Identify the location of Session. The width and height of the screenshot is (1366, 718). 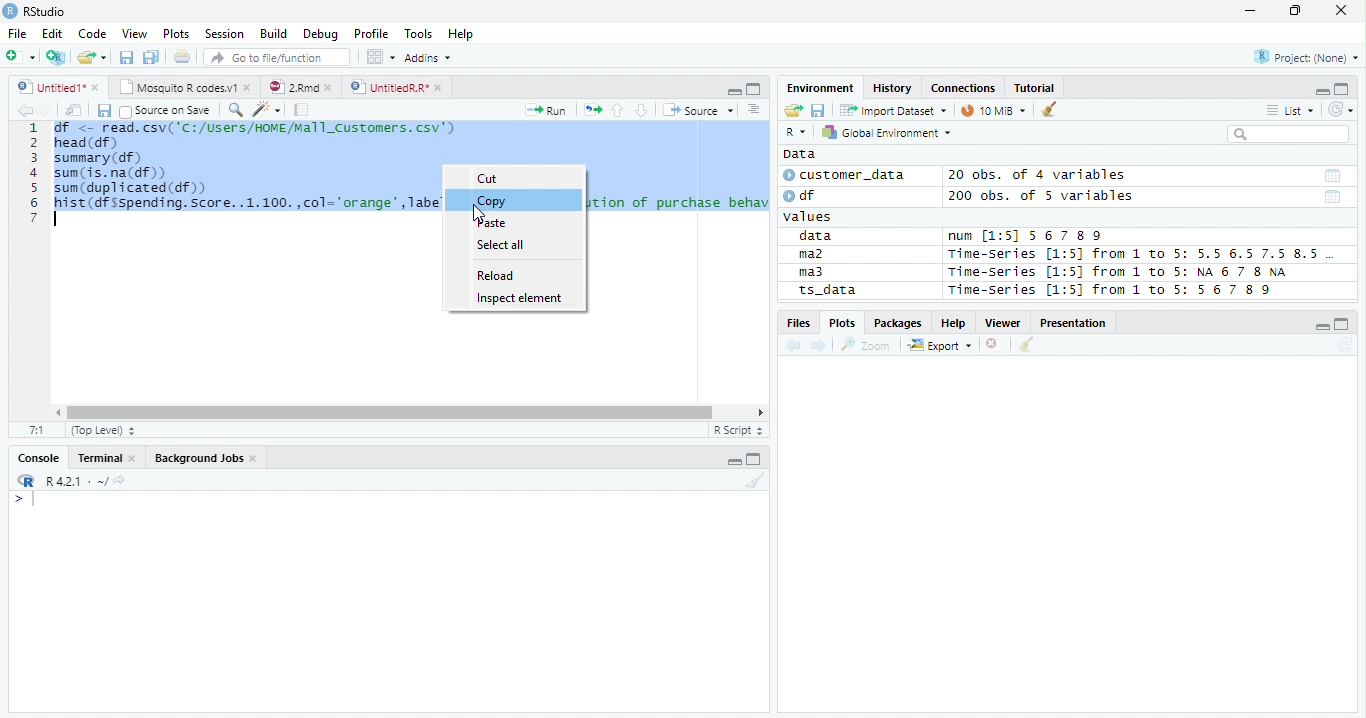
(223, 33).